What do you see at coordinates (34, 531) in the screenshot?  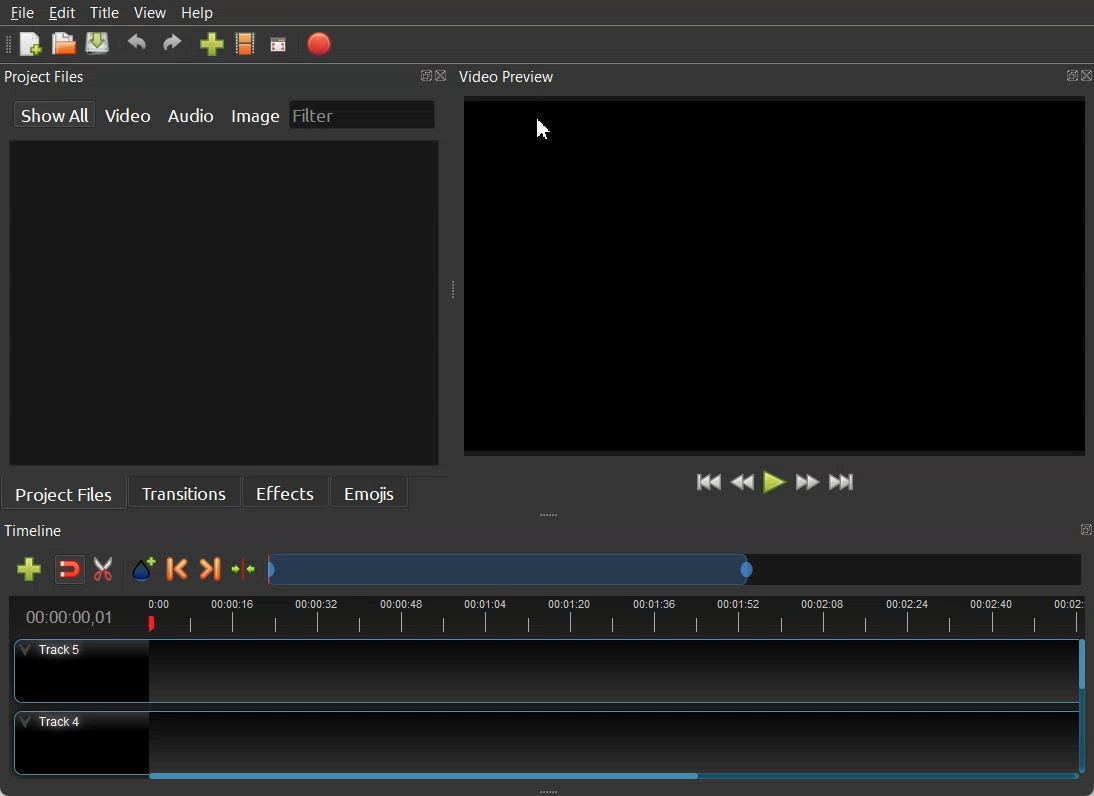 I see `Timeline` at bounding box center [34, 531].